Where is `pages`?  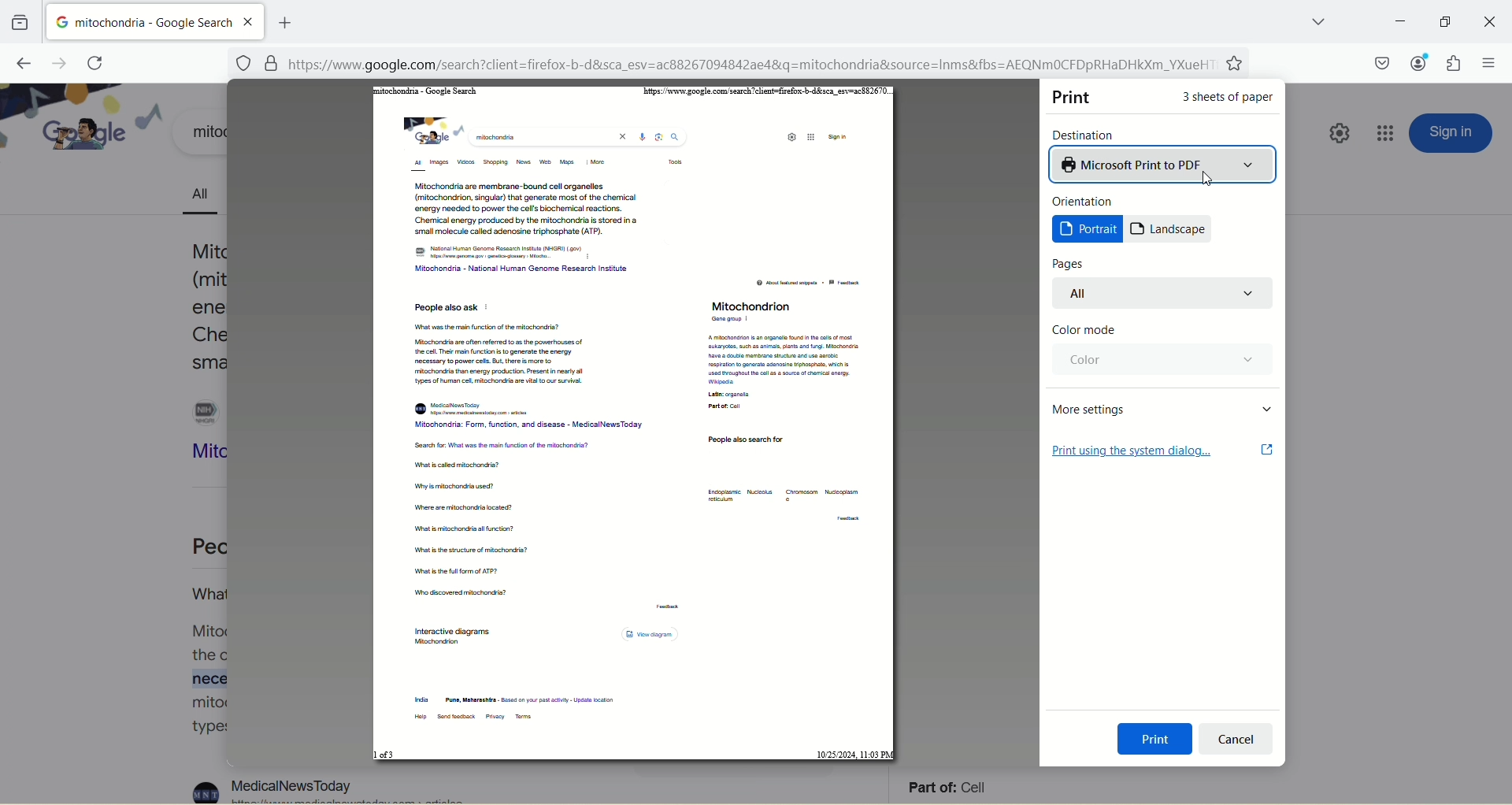 pages is located at coordinates (1069, 264).